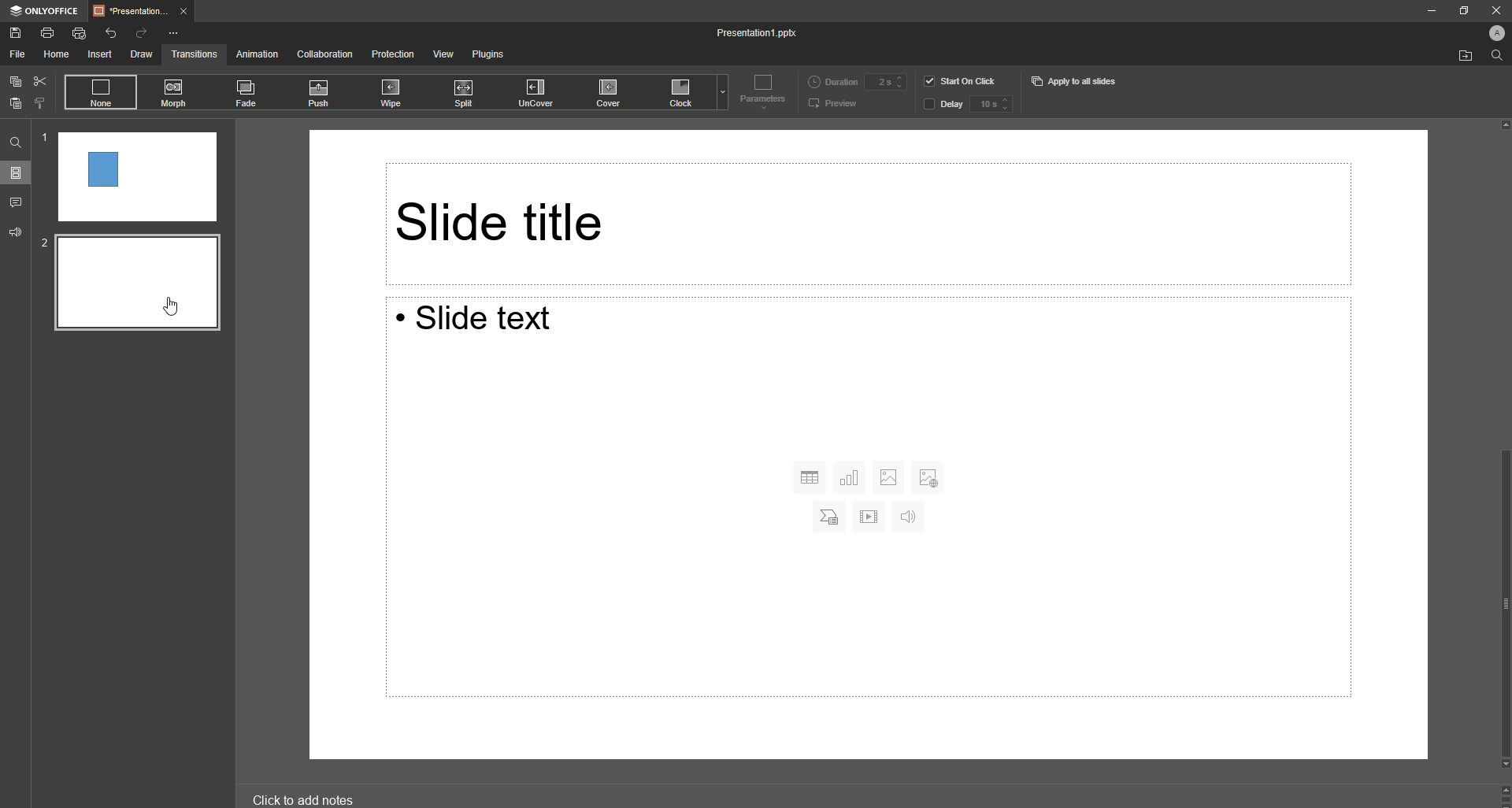 The height and width of the screenshot is (808, 1512). I want to click on scroll bar, so click(1503, 599).